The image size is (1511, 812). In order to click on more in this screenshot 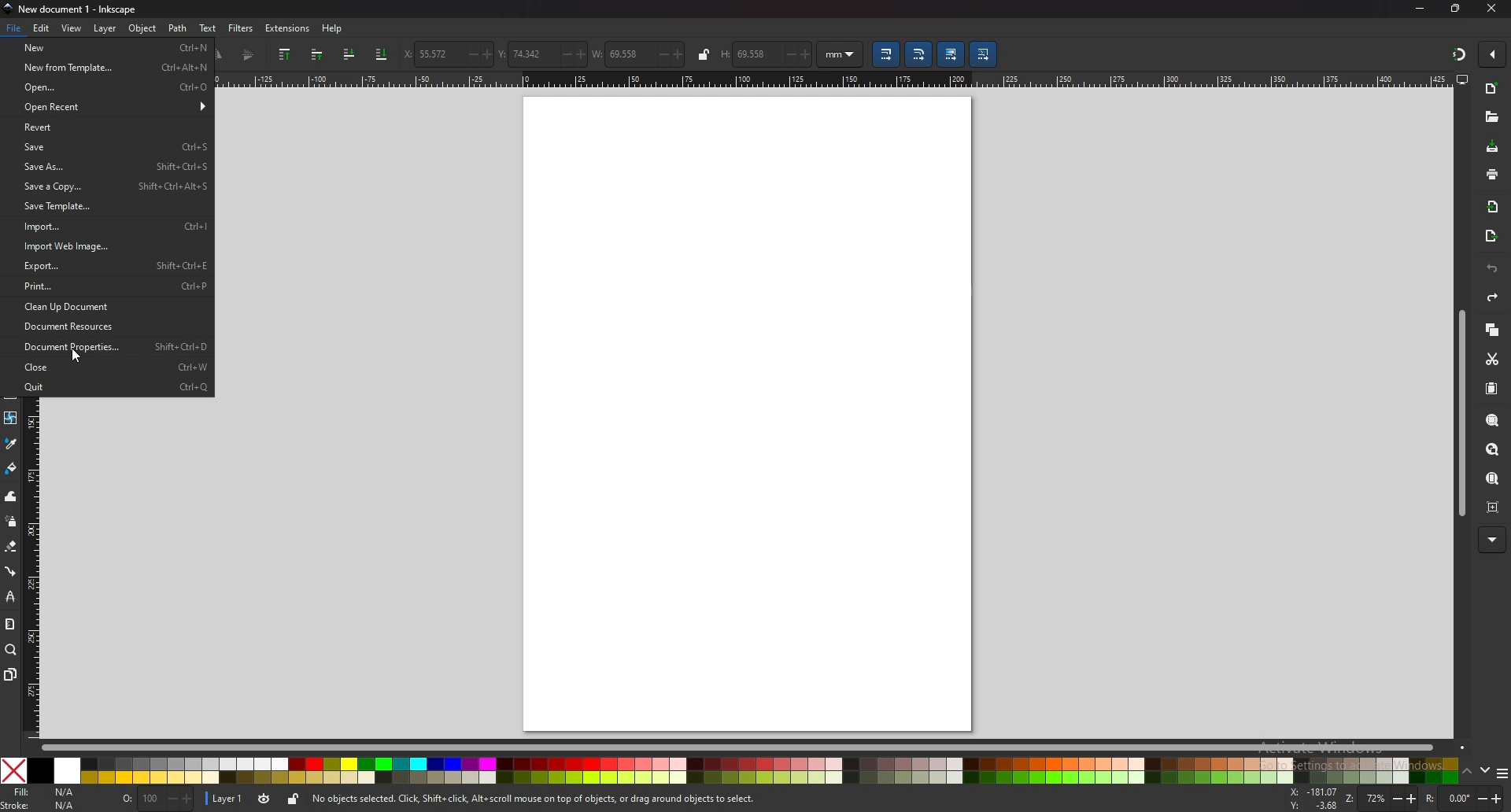, I will do `click(1492, 541)`.